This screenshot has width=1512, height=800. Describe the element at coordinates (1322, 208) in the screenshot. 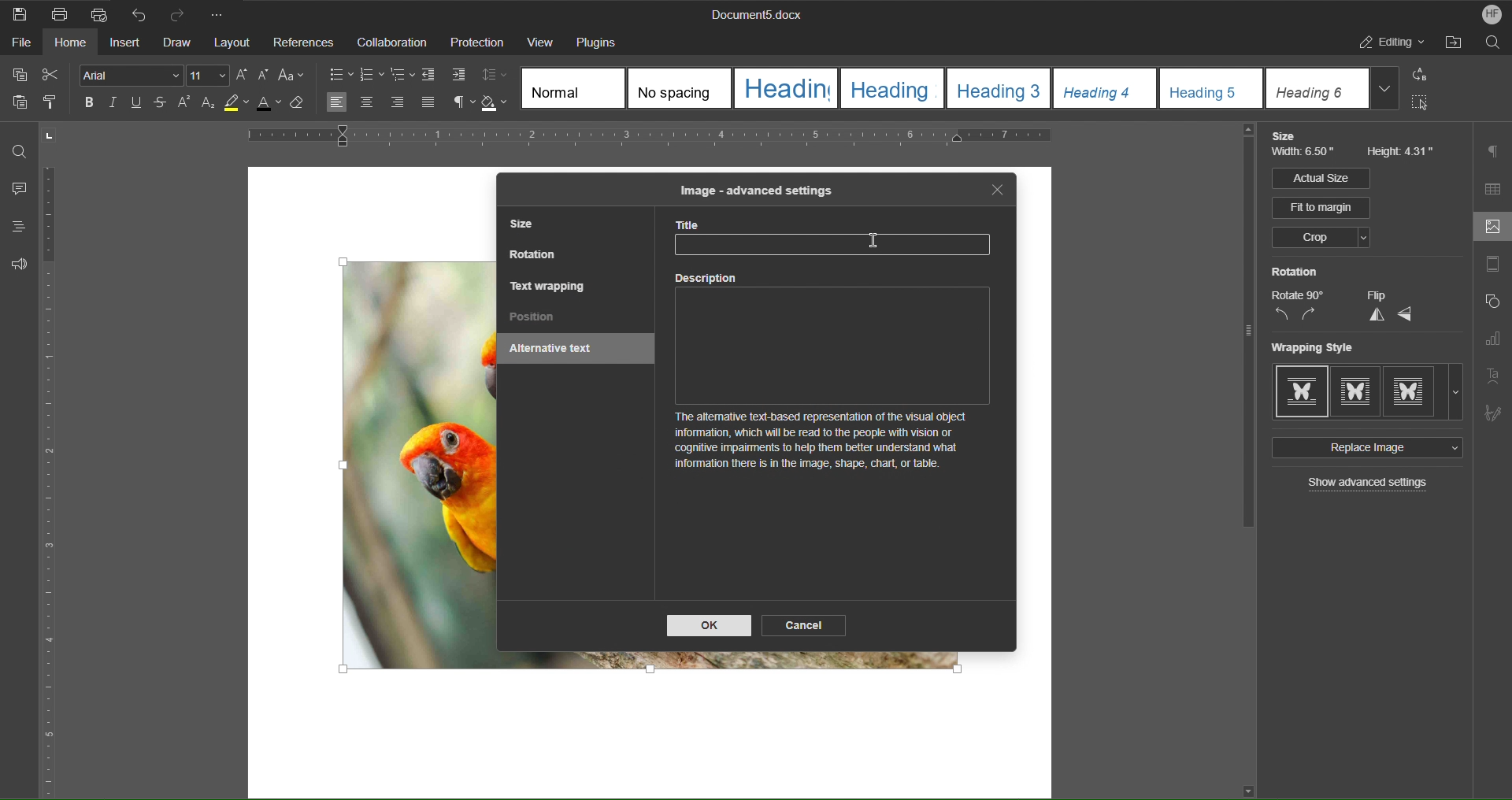

I see `Fit to margin` at that location.